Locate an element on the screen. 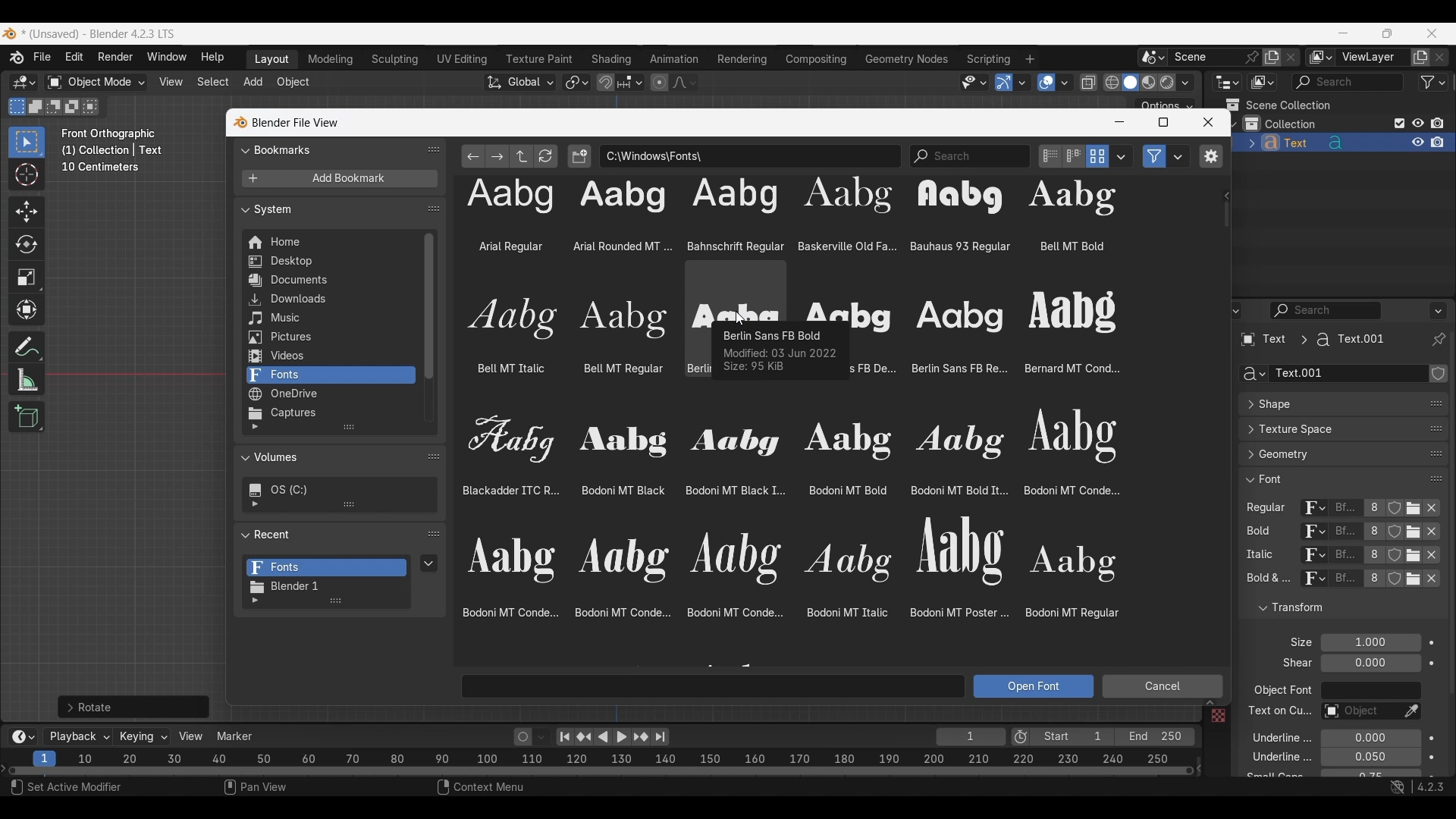 The width and height of the screenshot is (1456, 819). Collapse Recent is located at coordinates (328, 534).